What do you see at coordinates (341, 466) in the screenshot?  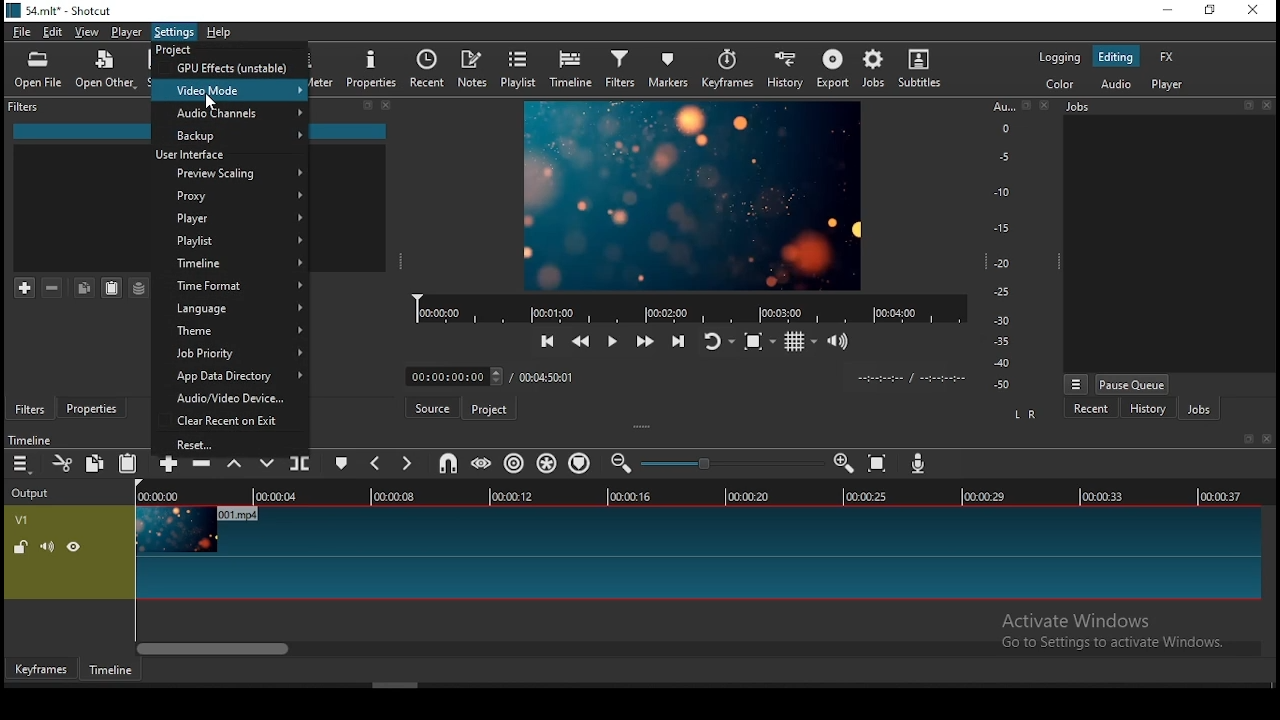 I see `create/edit marker` at bounding box center [341, 466].